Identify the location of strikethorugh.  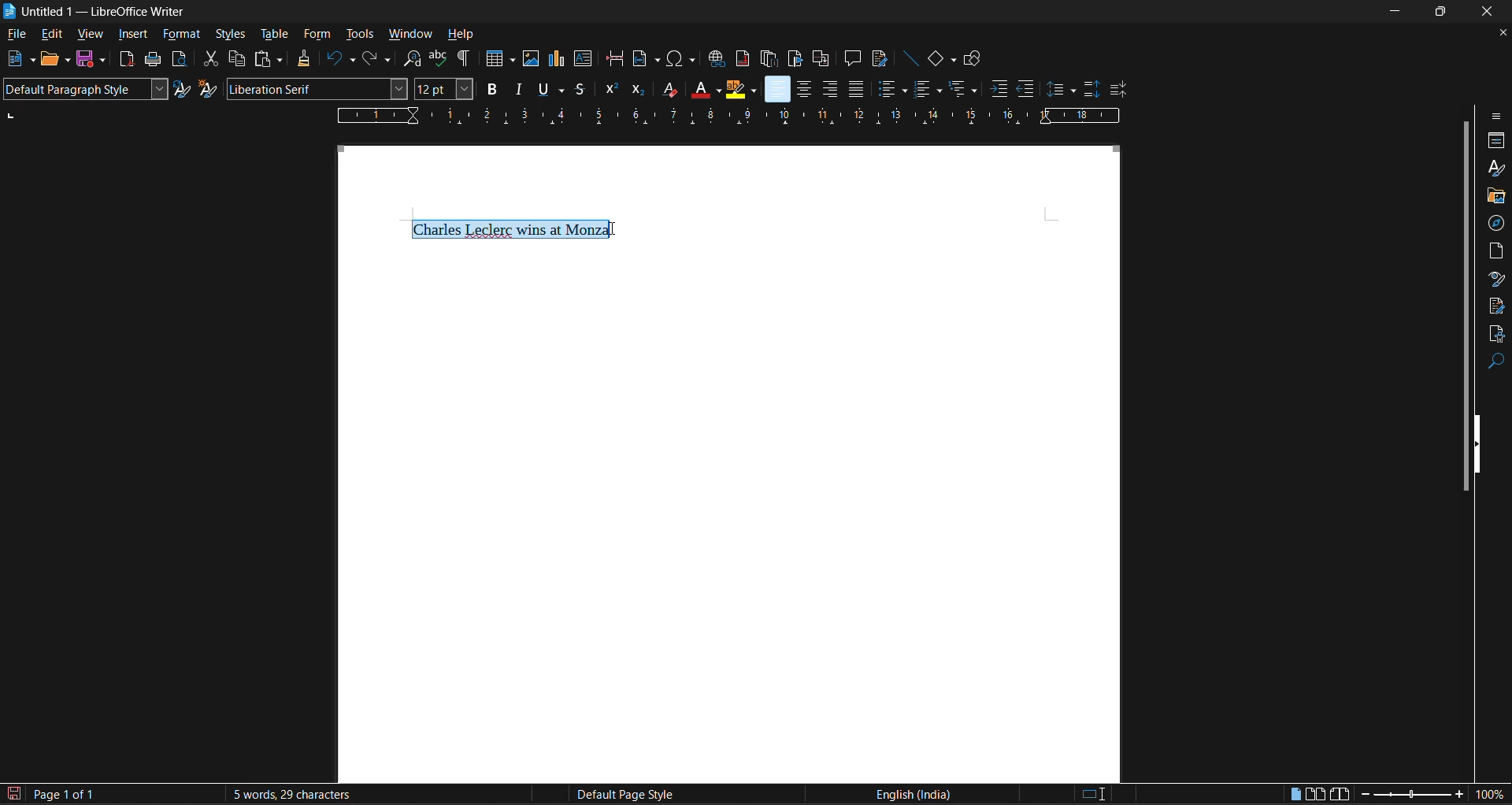
(580, 90).